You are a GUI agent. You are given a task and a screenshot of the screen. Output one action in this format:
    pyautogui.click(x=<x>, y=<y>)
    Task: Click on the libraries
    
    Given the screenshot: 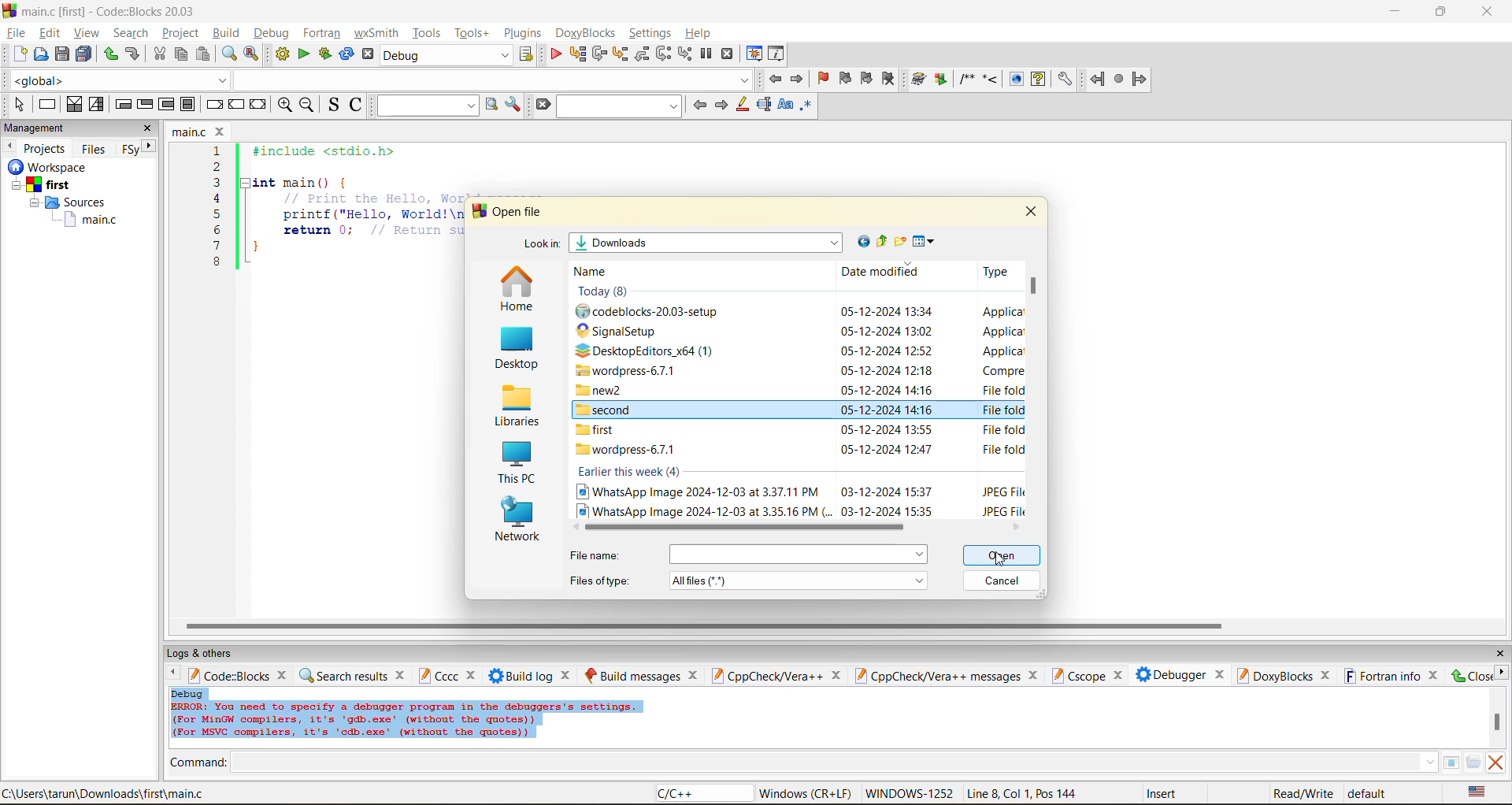 What is the action you would take?
    pyautogui.click(x=515, y=406)
    